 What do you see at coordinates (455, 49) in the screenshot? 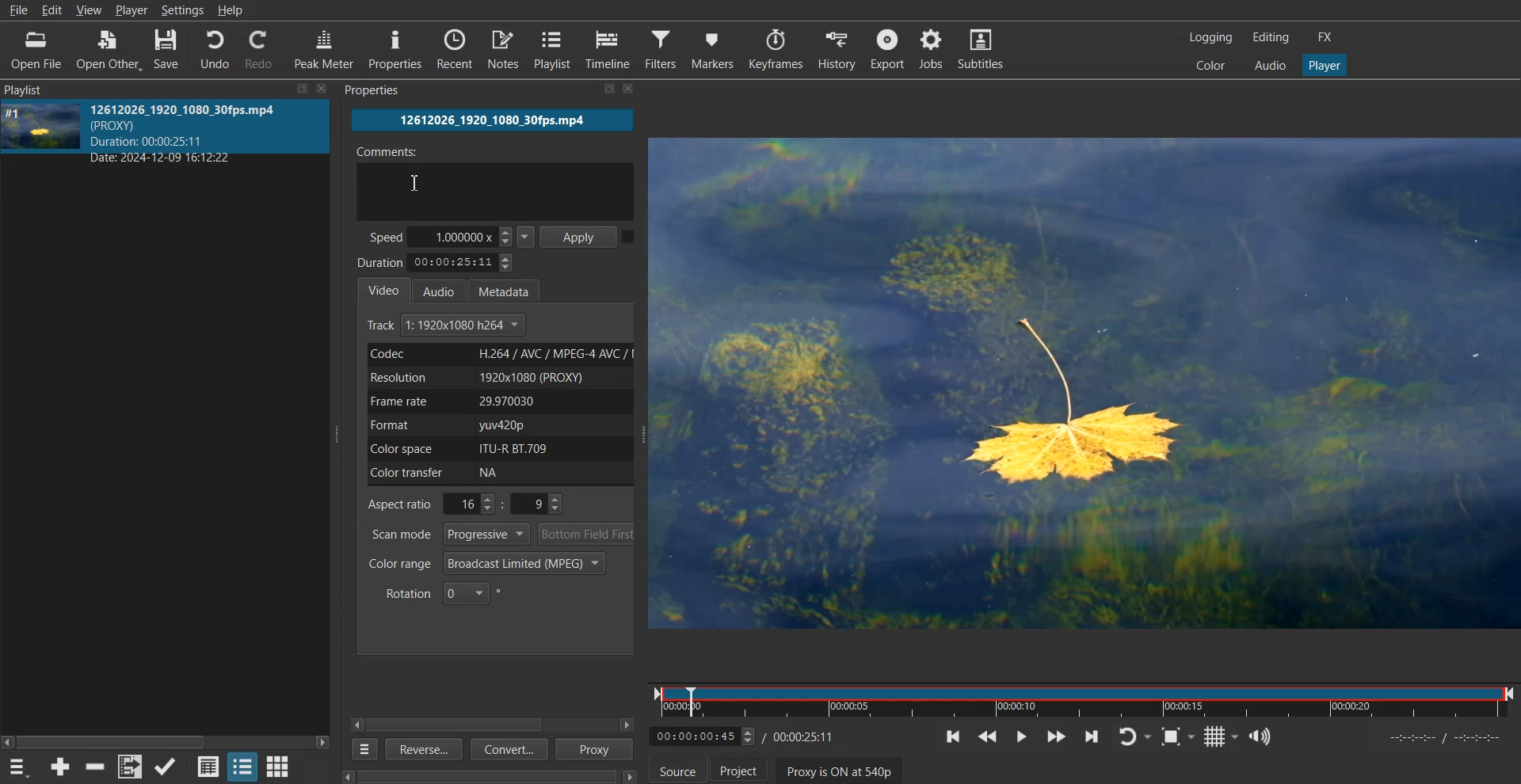
I see `Recent` at bounding box center [455, 49].